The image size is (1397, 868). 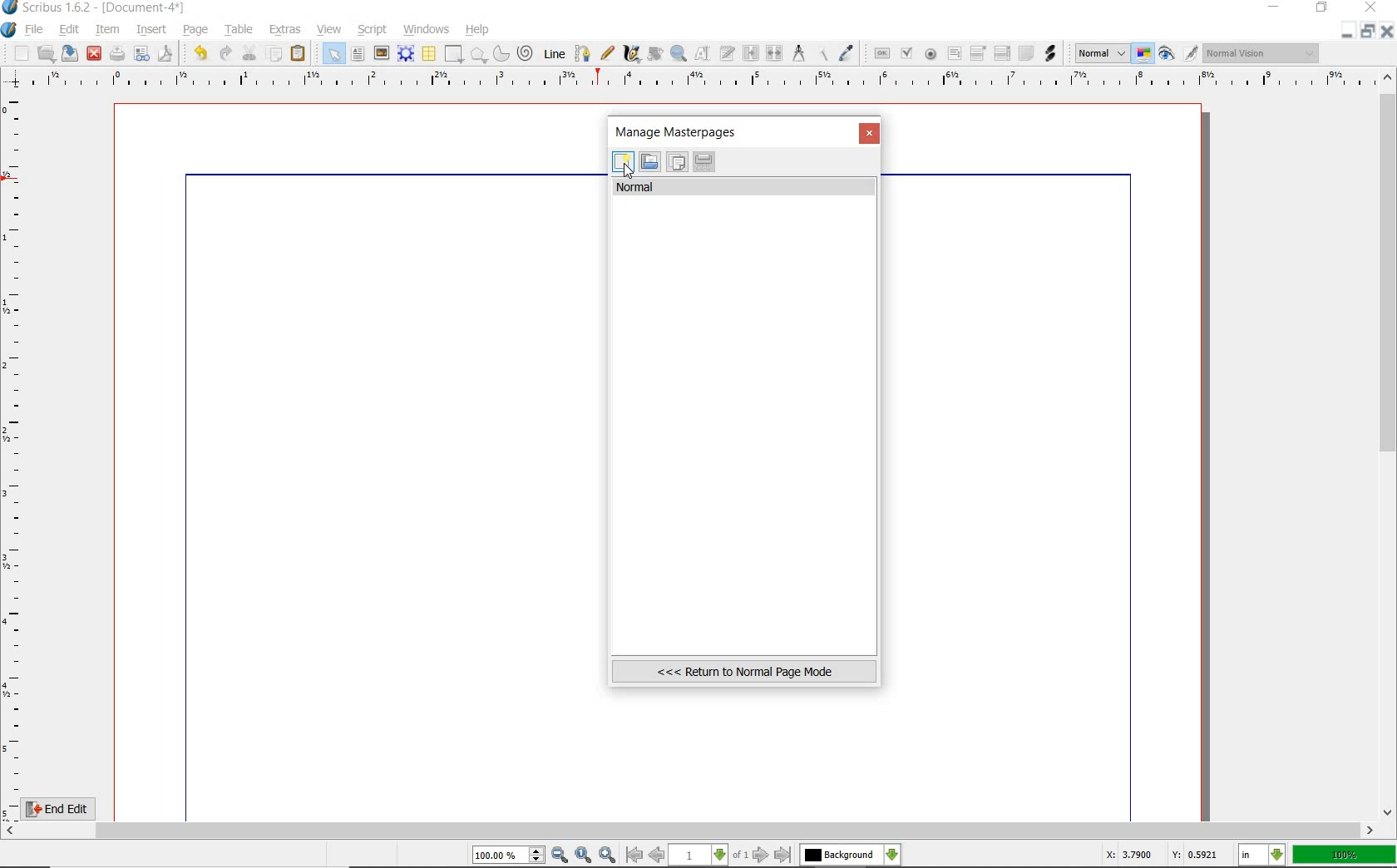 I want to click on pdf list box, so click(x=1001, y=55).